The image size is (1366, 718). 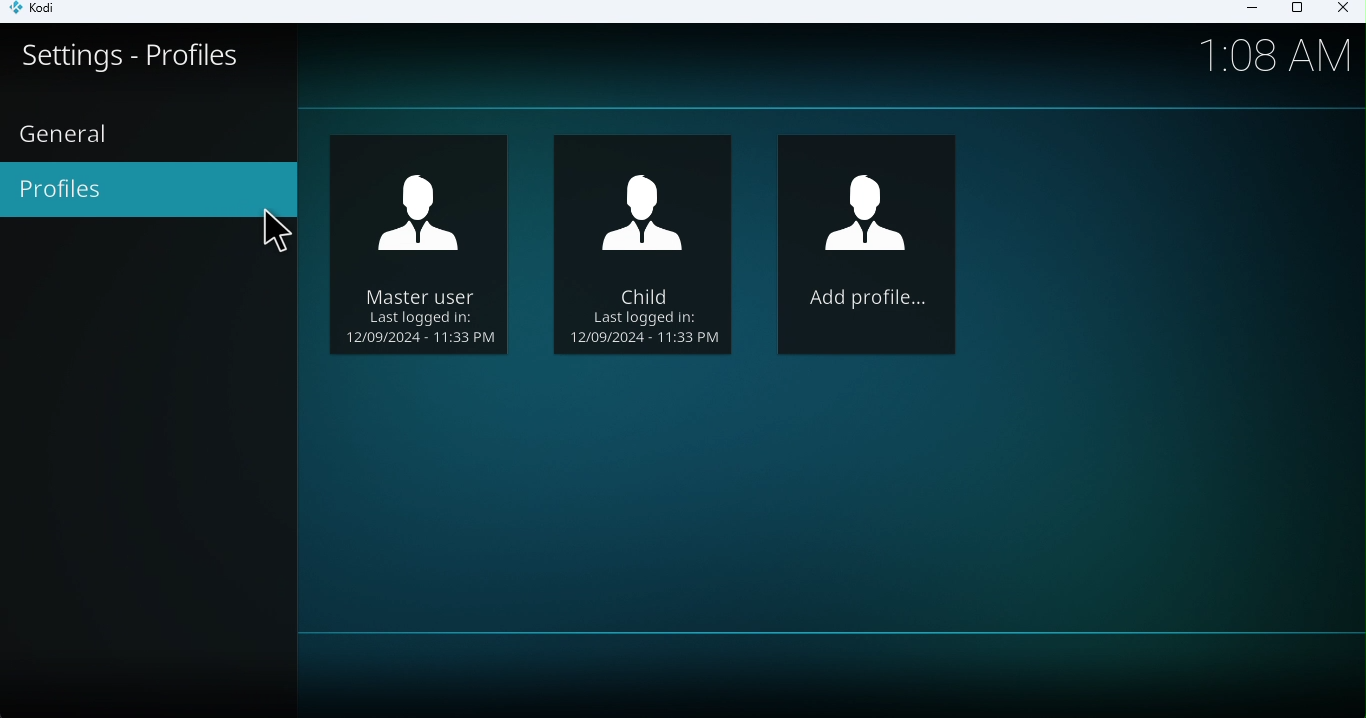 What do you see at coordinates (42, 12) in the screenshot?
I see `Kodi icon` at bounding box center [42, 12].